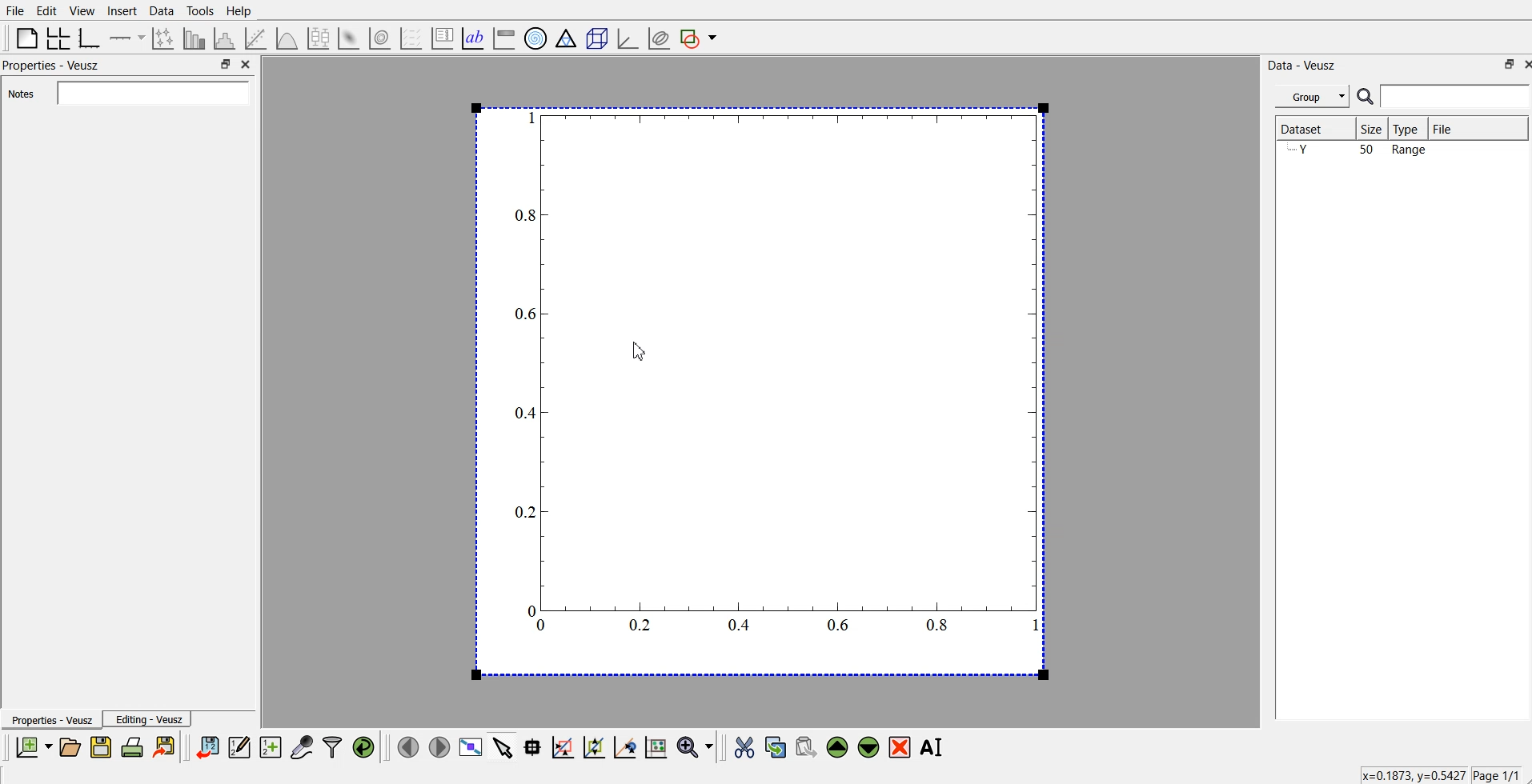 This screenshot has height=784, width=1532. Describe the element at coordinates (536, 37) in the screenshot. I see `polar graph` at that location.